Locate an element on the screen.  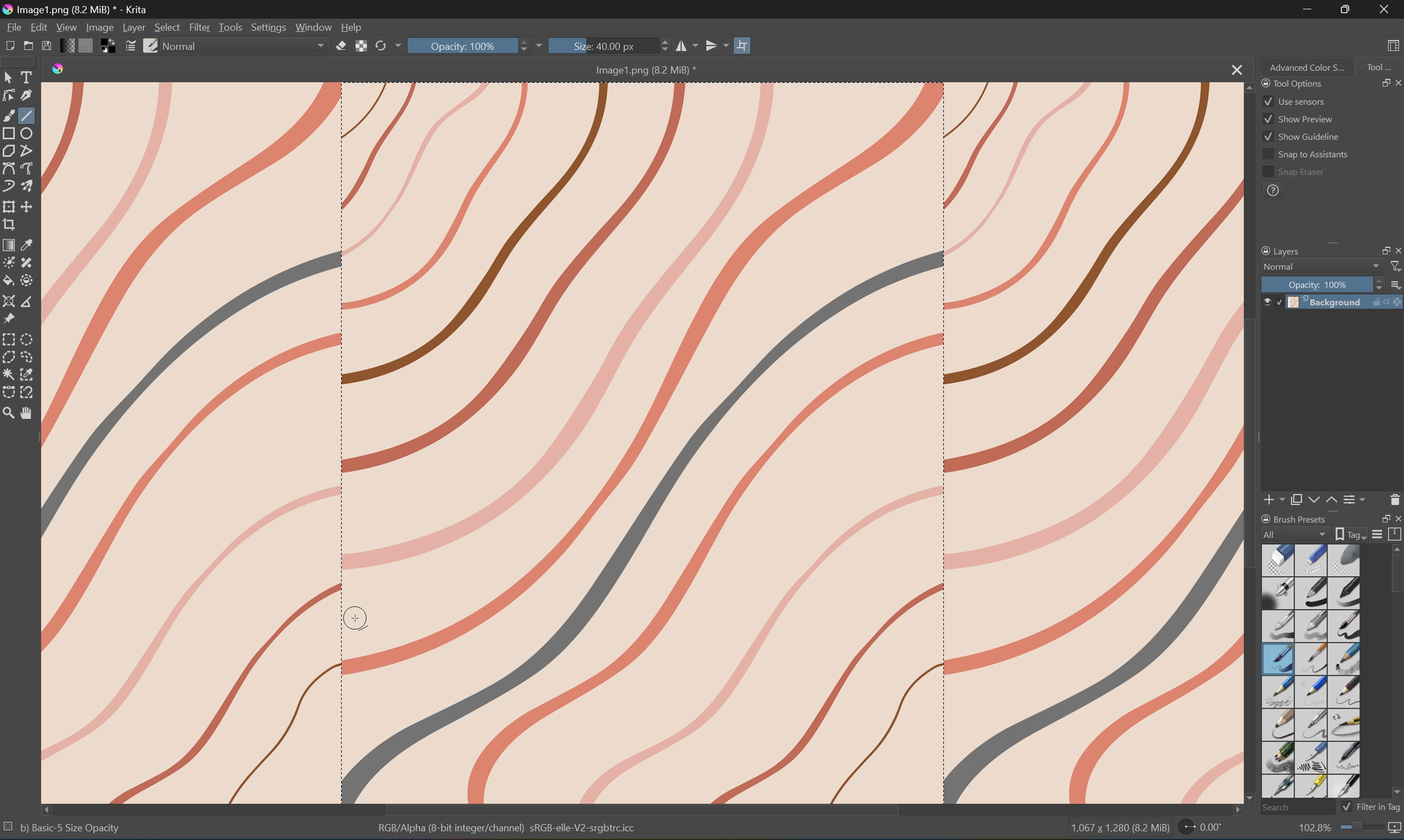
Move layer or mask up is located at coordinates (1332, 500).